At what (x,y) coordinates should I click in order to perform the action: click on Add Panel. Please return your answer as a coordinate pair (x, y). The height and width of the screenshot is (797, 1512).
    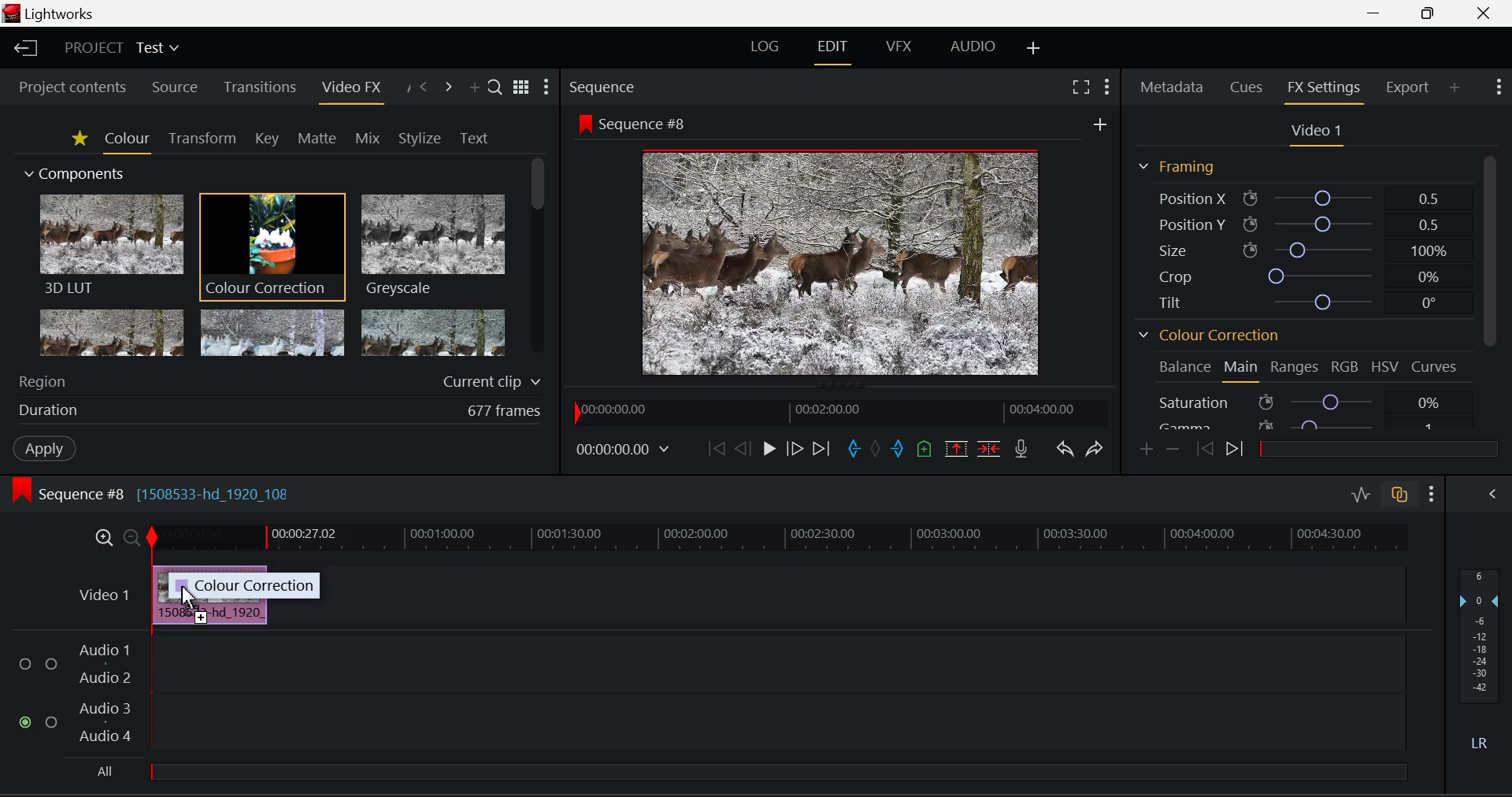
    Looking at the image, I should click on (1454, 85).